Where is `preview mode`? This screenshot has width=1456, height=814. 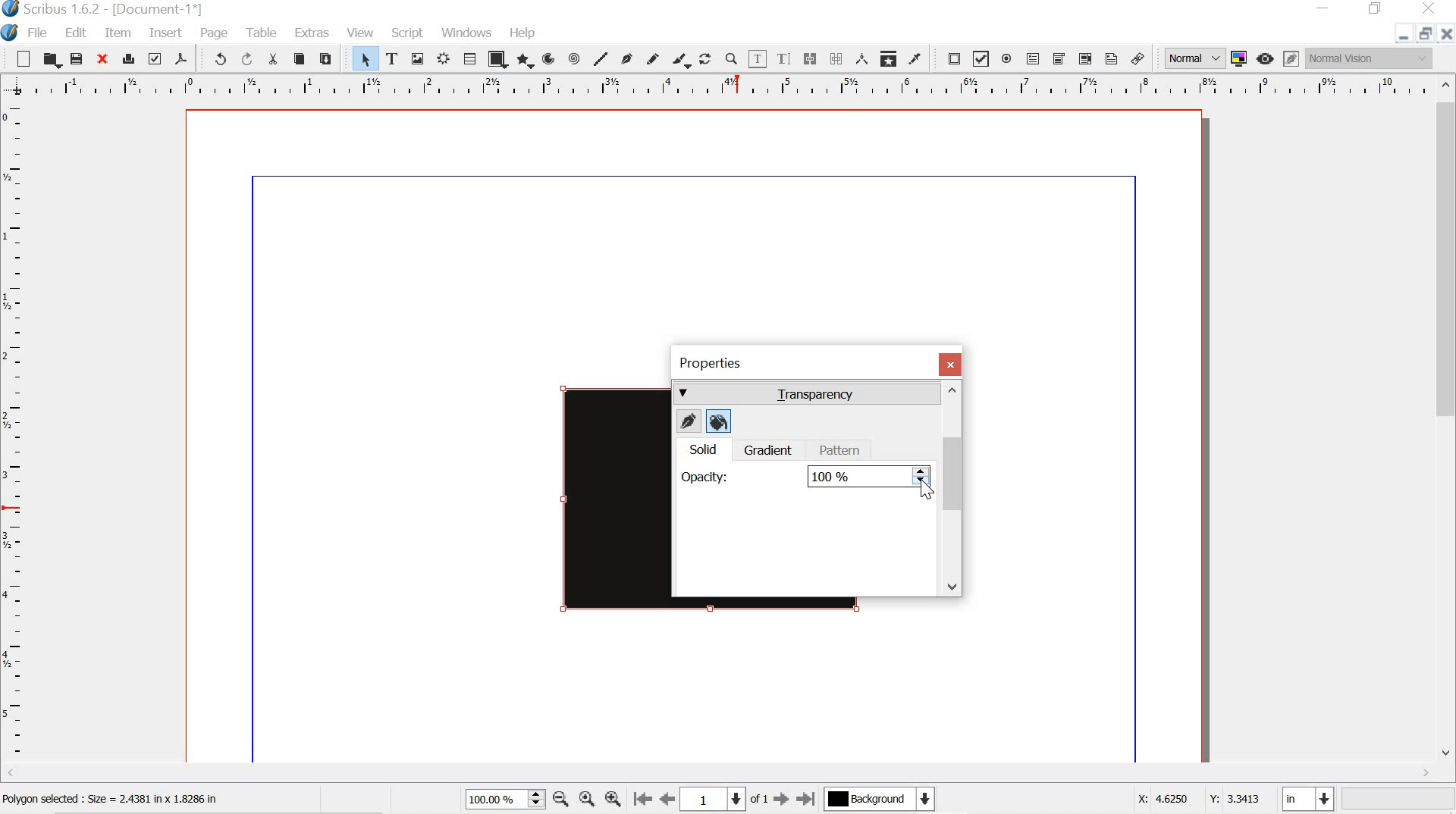 preview mode is located at coordinates (1263, 58).